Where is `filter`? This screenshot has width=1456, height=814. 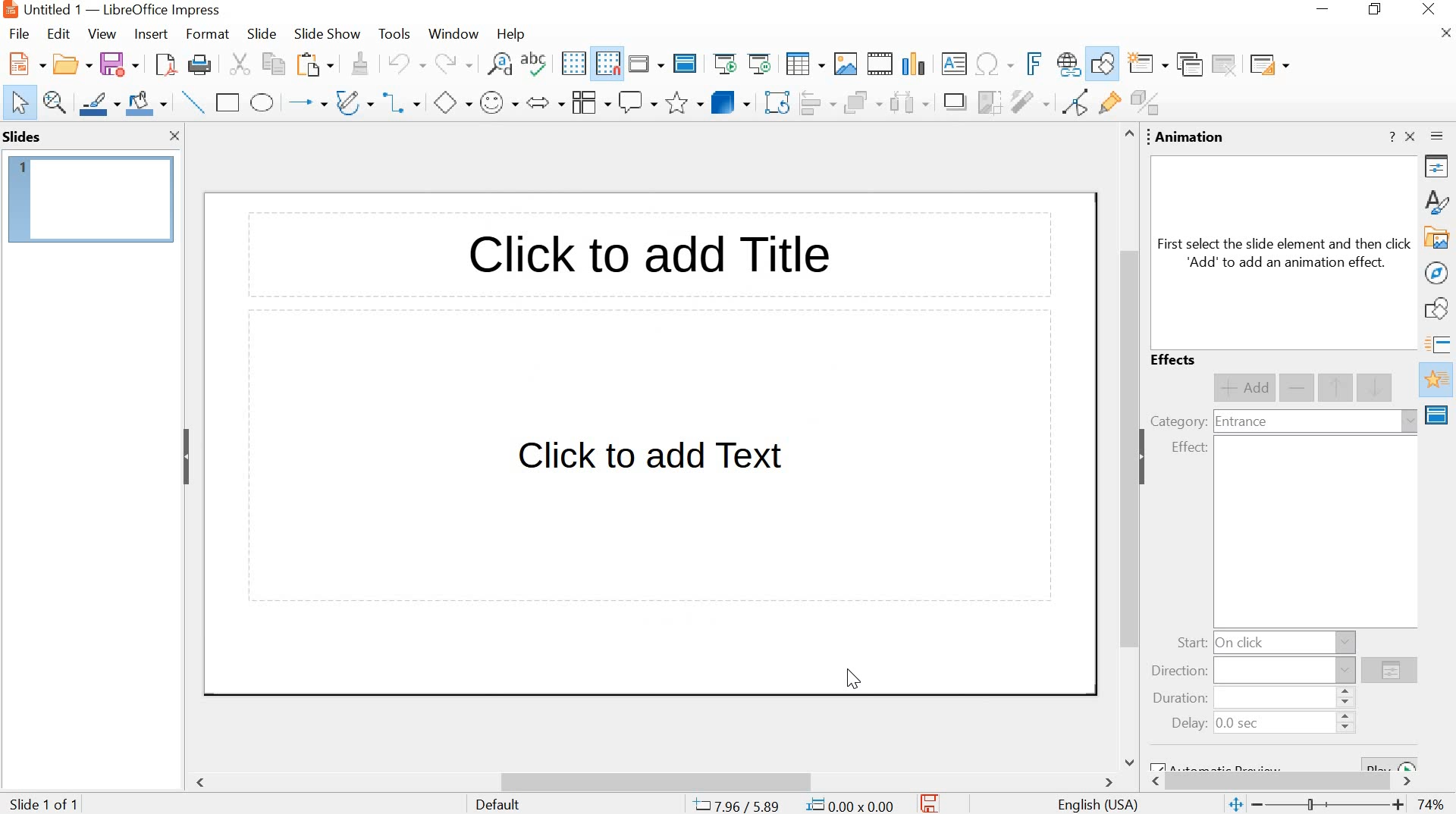 filter is located at coordinates (1029, 102).